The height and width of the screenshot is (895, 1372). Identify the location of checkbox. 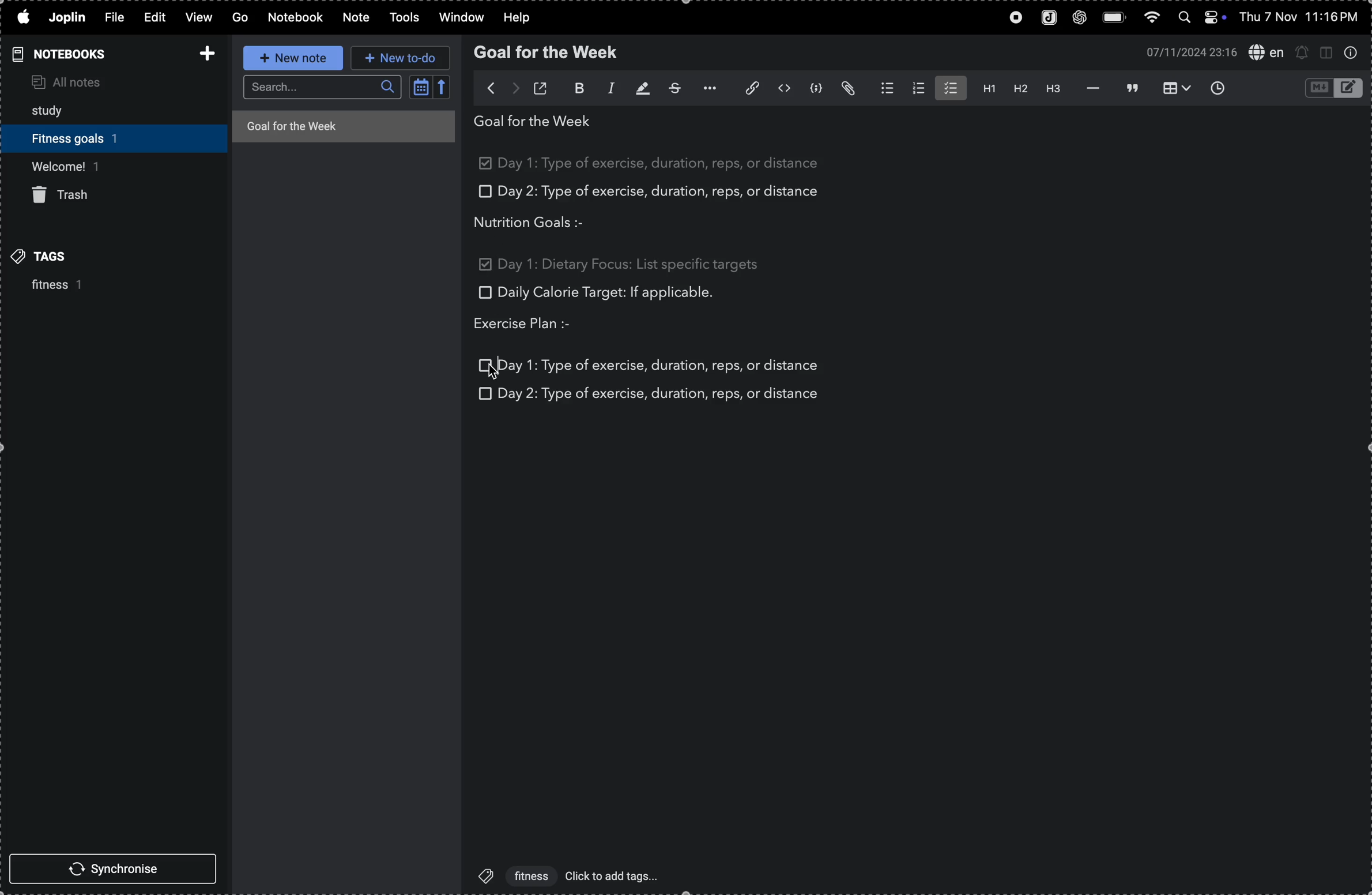
(483, 292).